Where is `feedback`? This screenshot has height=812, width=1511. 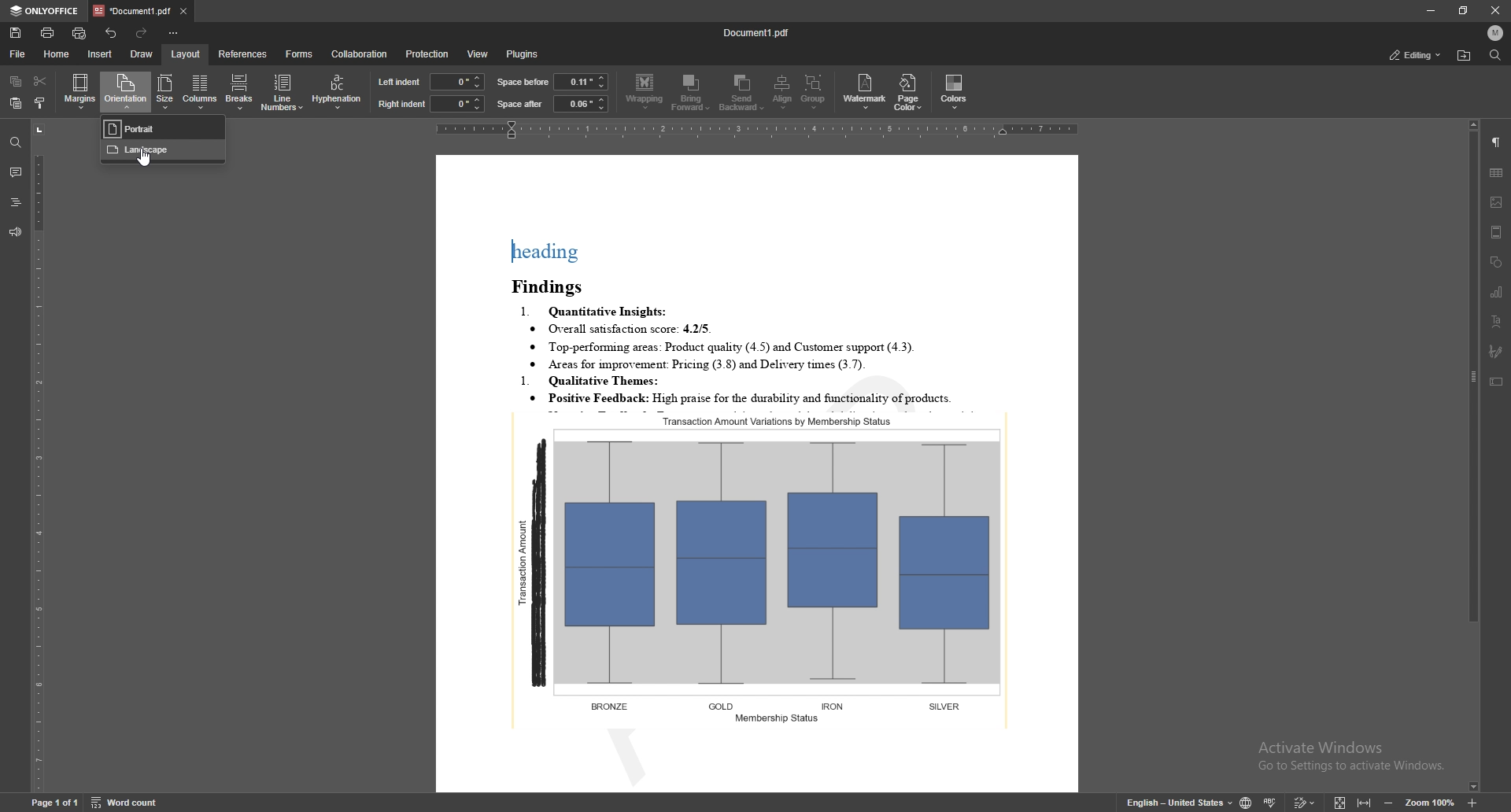 feedback is located at coordinates (16, 232).